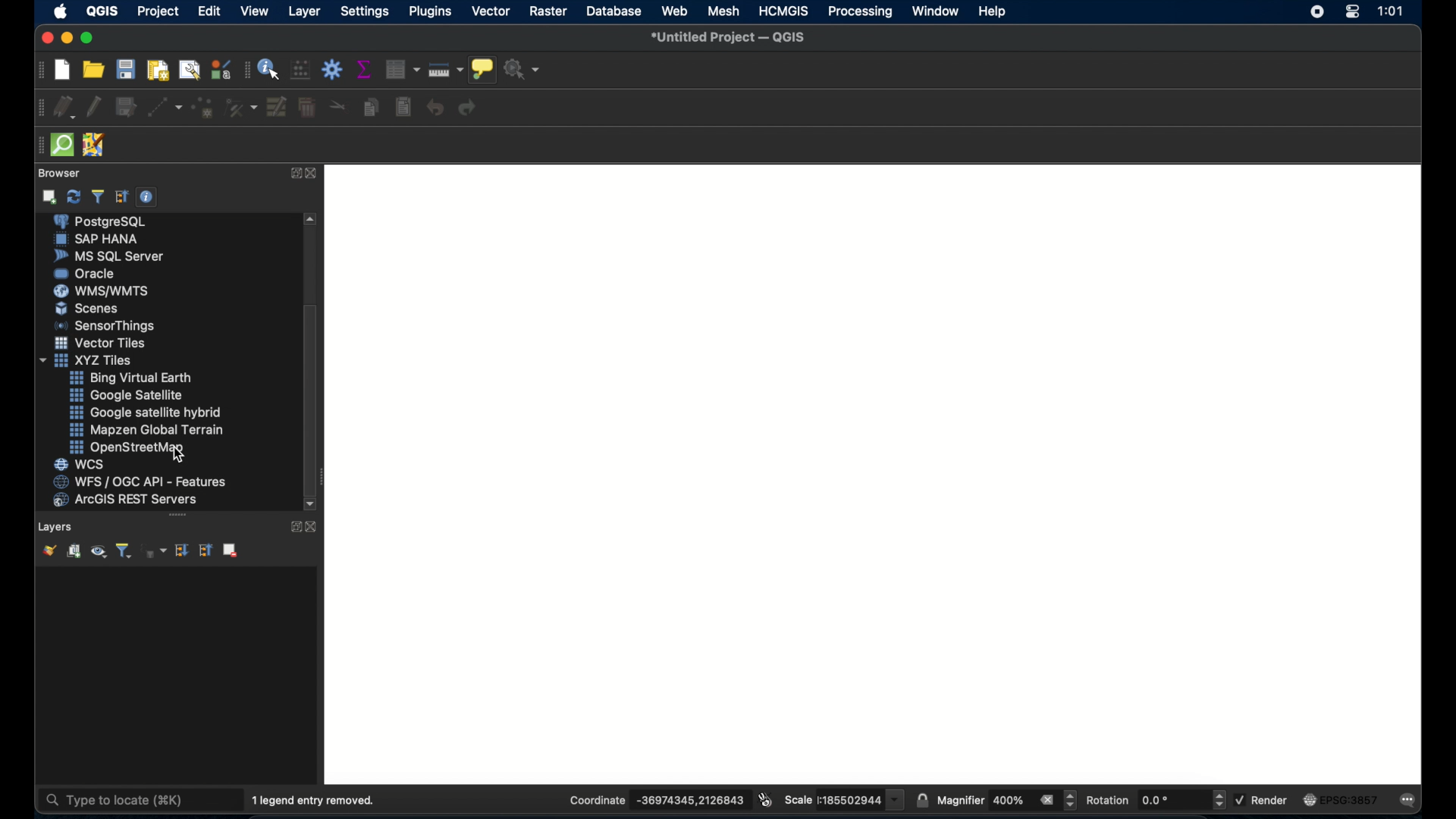 This screenshot has height=819, width=1456. Describe the element at coordinates (992, 11) in the screenshot. I see `help` at that location.